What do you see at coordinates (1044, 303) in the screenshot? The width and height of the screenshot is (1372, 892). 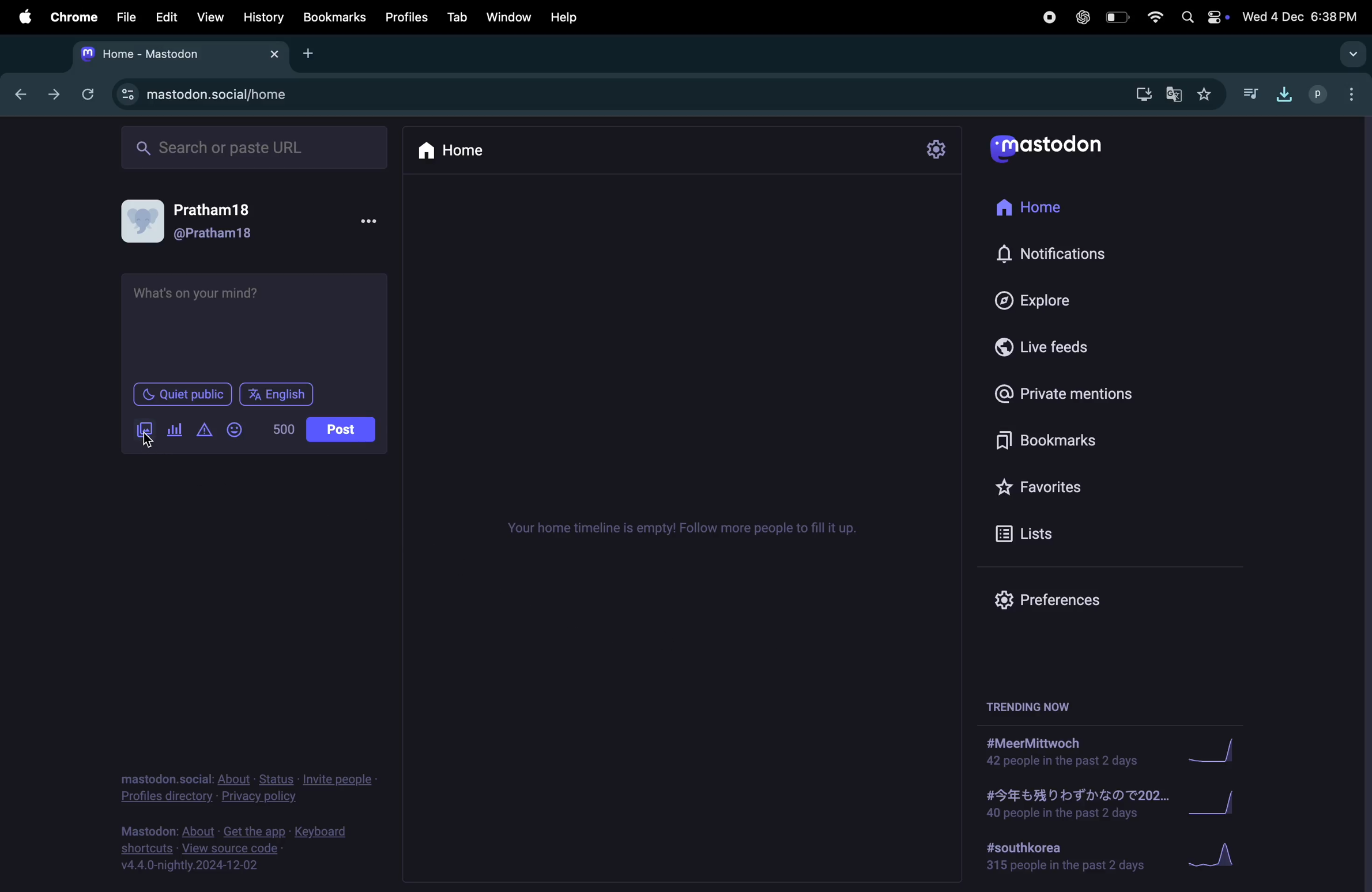 I see `explore` at bounding box center [1044, 303].